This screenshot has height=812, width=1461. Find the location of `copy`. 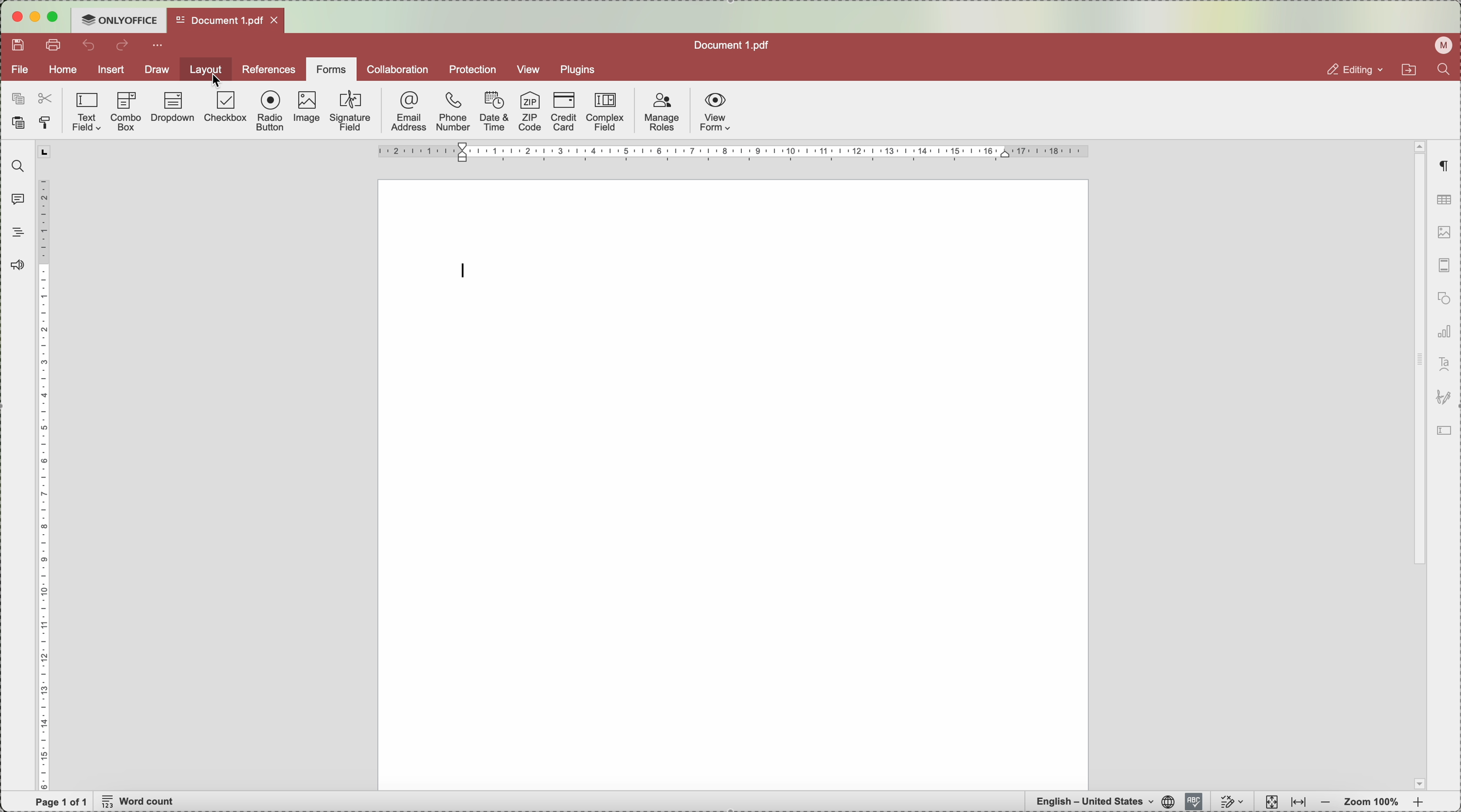

copy is located at coordinates (15, 96).